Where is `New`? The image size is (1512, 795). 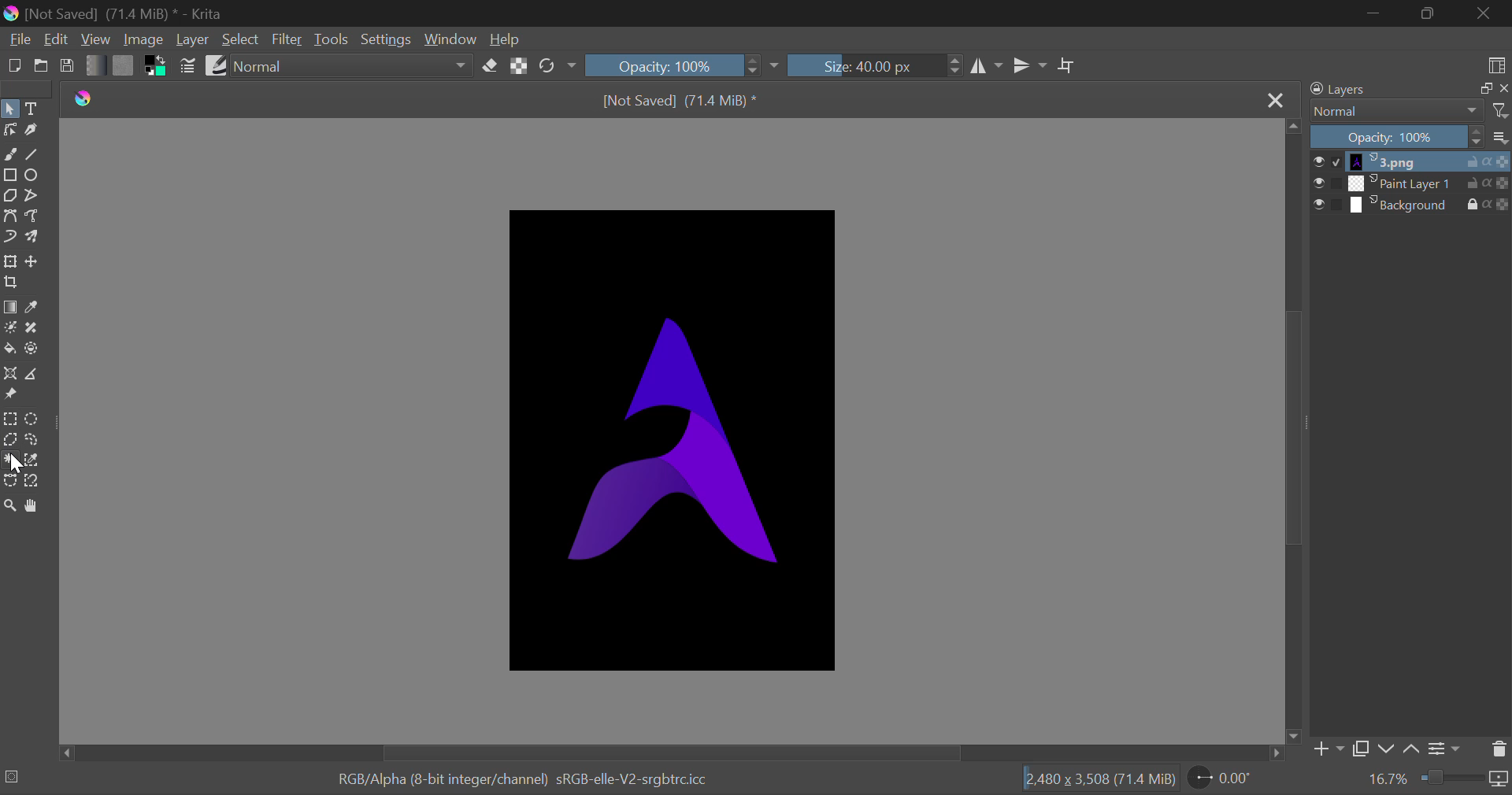
New is located at coordinates (14, 66).